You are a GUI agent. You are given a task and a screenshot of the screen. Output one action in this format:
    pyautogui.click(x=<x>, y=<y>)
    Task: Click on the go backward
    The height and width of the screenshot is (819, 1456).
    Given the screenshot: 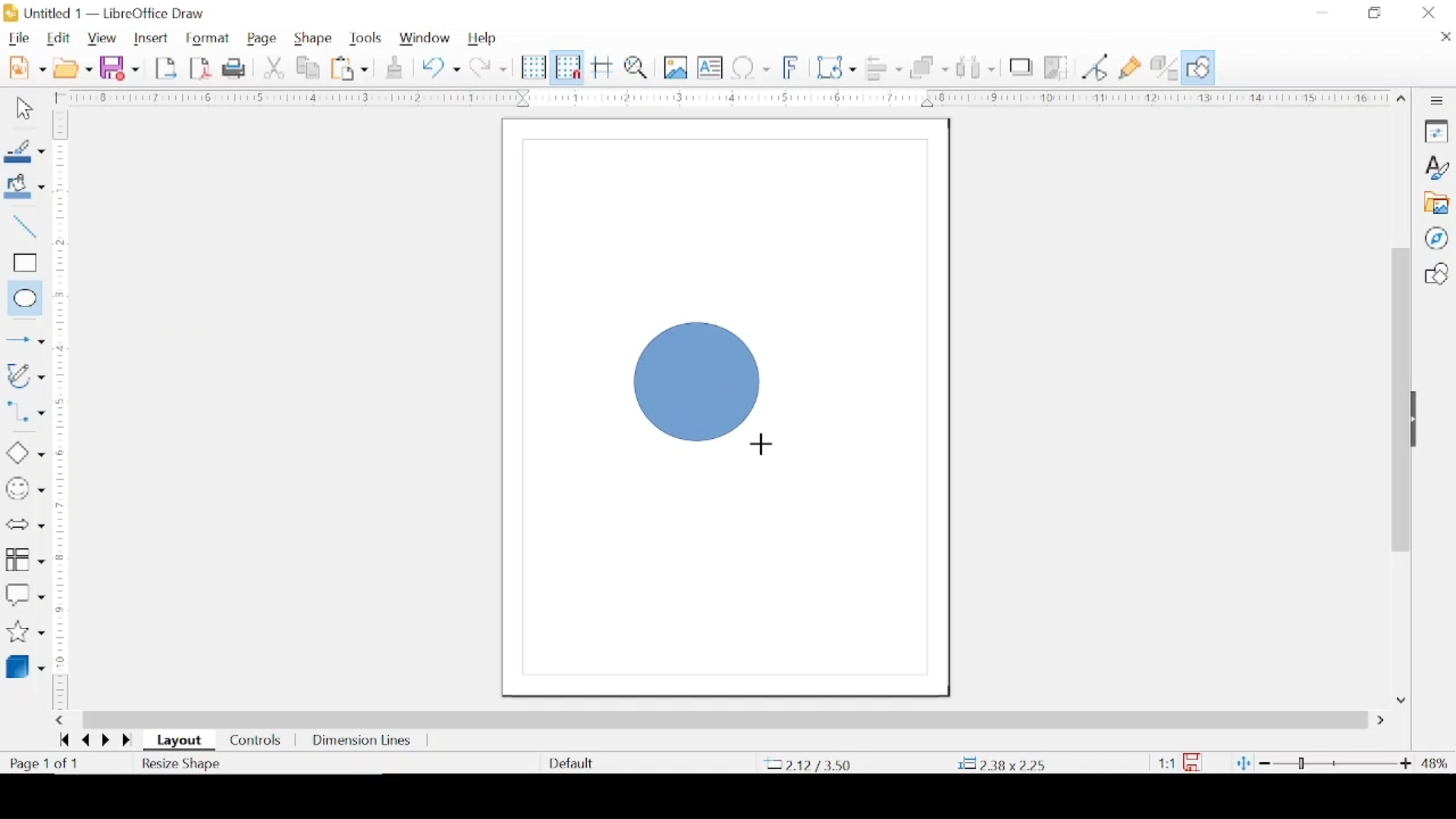 What is the action you would take?
    pyautogui.click(x=61, y=742)
    